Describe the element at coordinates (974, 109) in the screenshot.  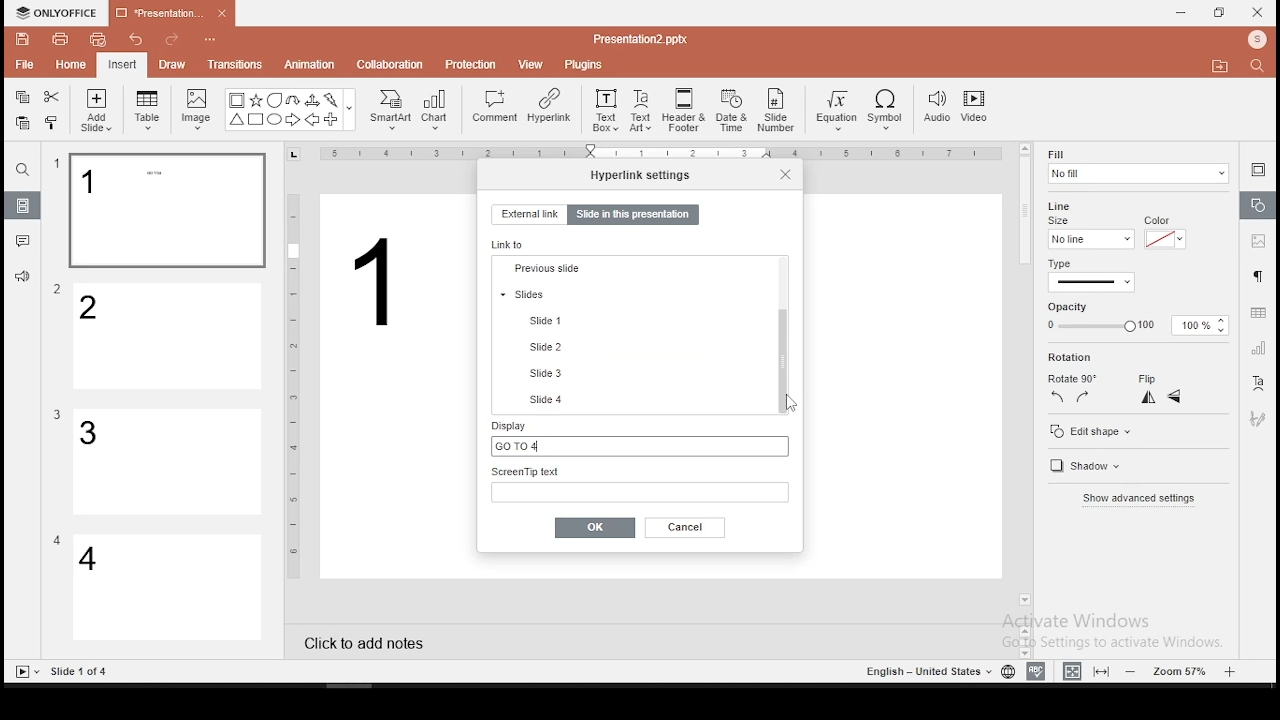
I see `video` at that location.